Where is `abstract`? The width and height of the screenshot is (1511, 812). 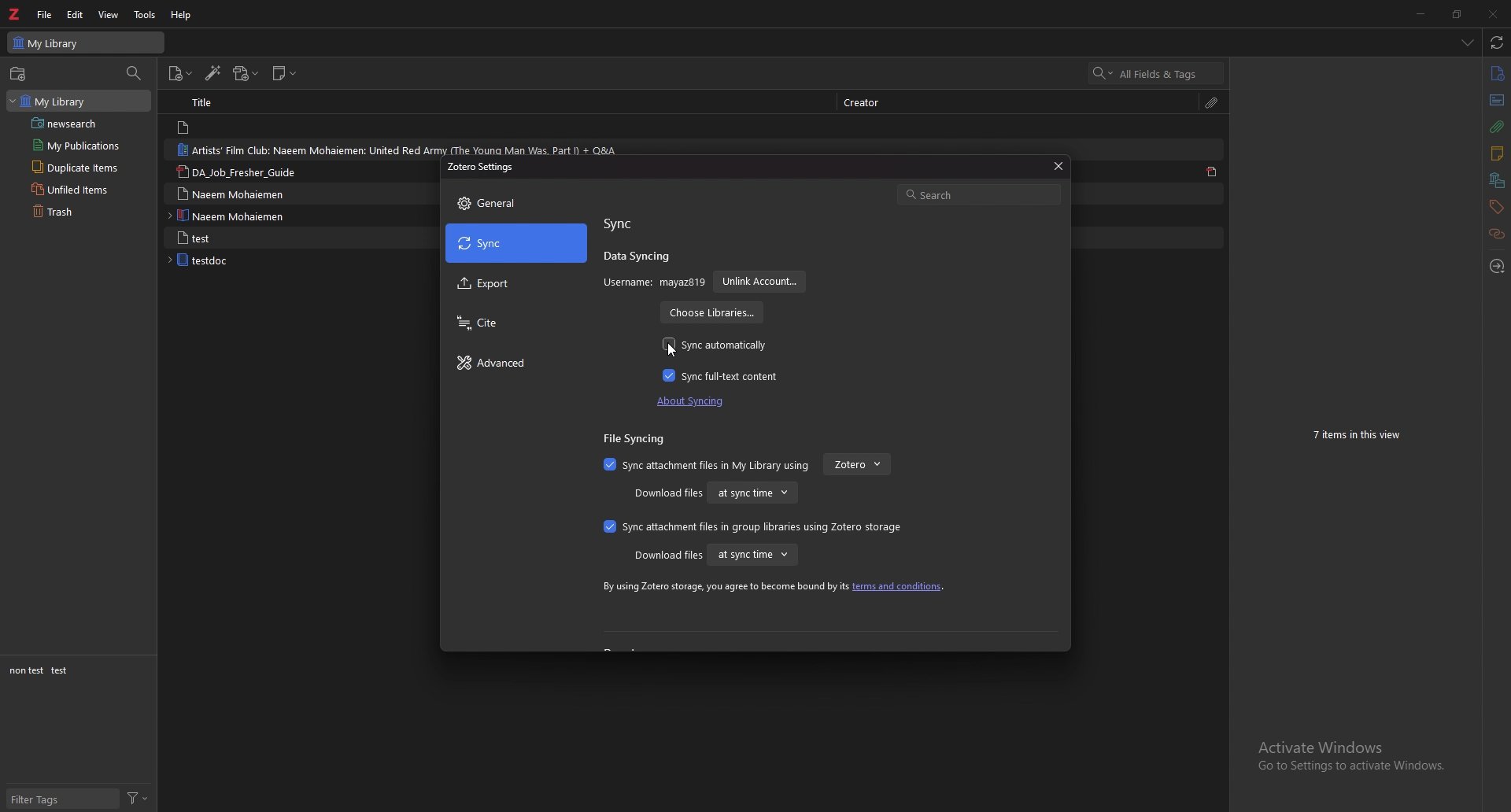
abstract is located at coordinates (1495, 101).